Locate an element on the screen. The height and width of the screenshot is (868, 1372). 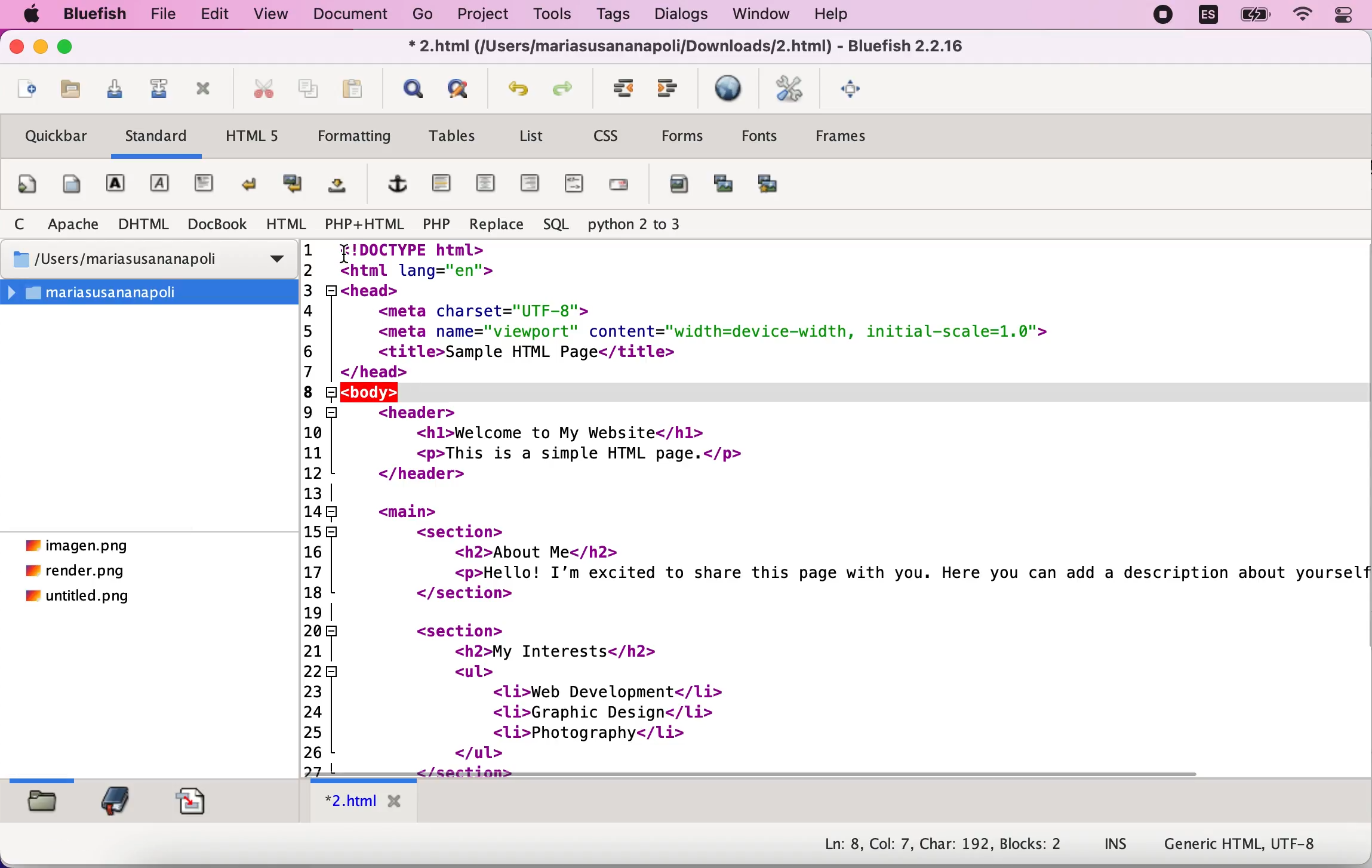
paragraph is located at coordinates (205, 186).